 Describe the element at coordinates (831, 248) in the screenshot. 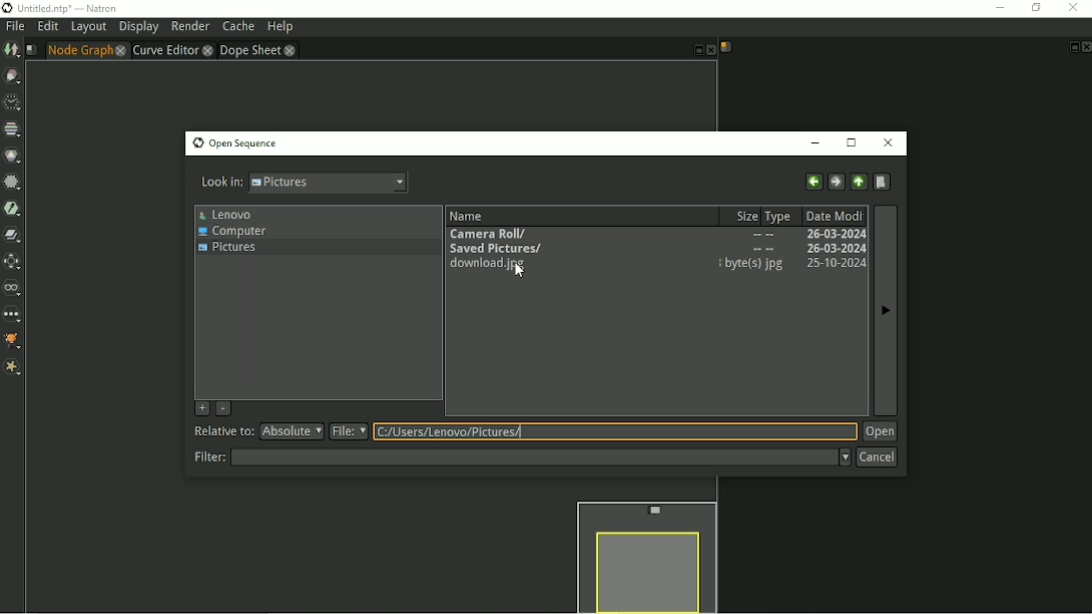

I see `26-03-2024` at that location.